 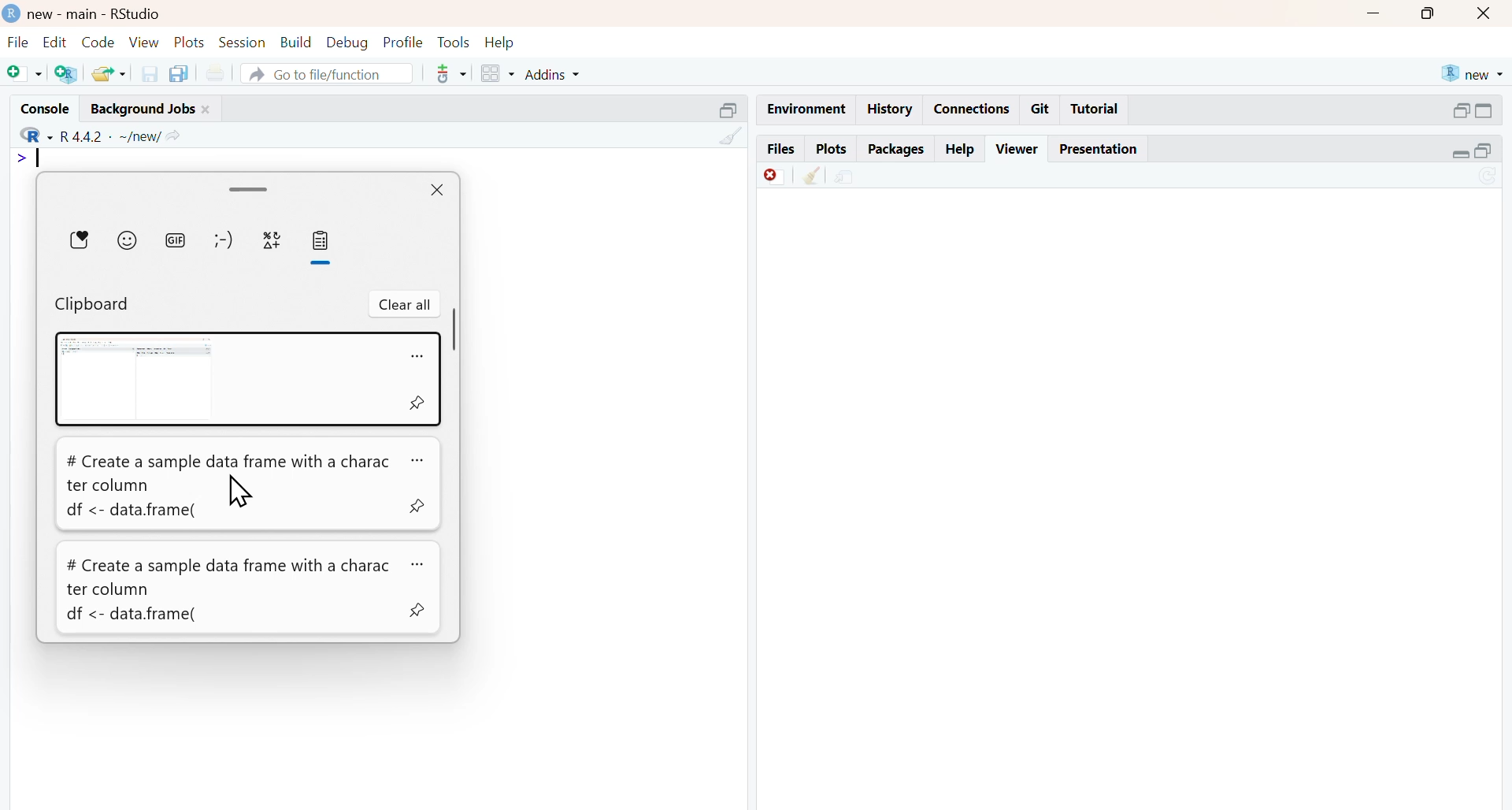 I want to click on clear all, so click(x=403, y=305).